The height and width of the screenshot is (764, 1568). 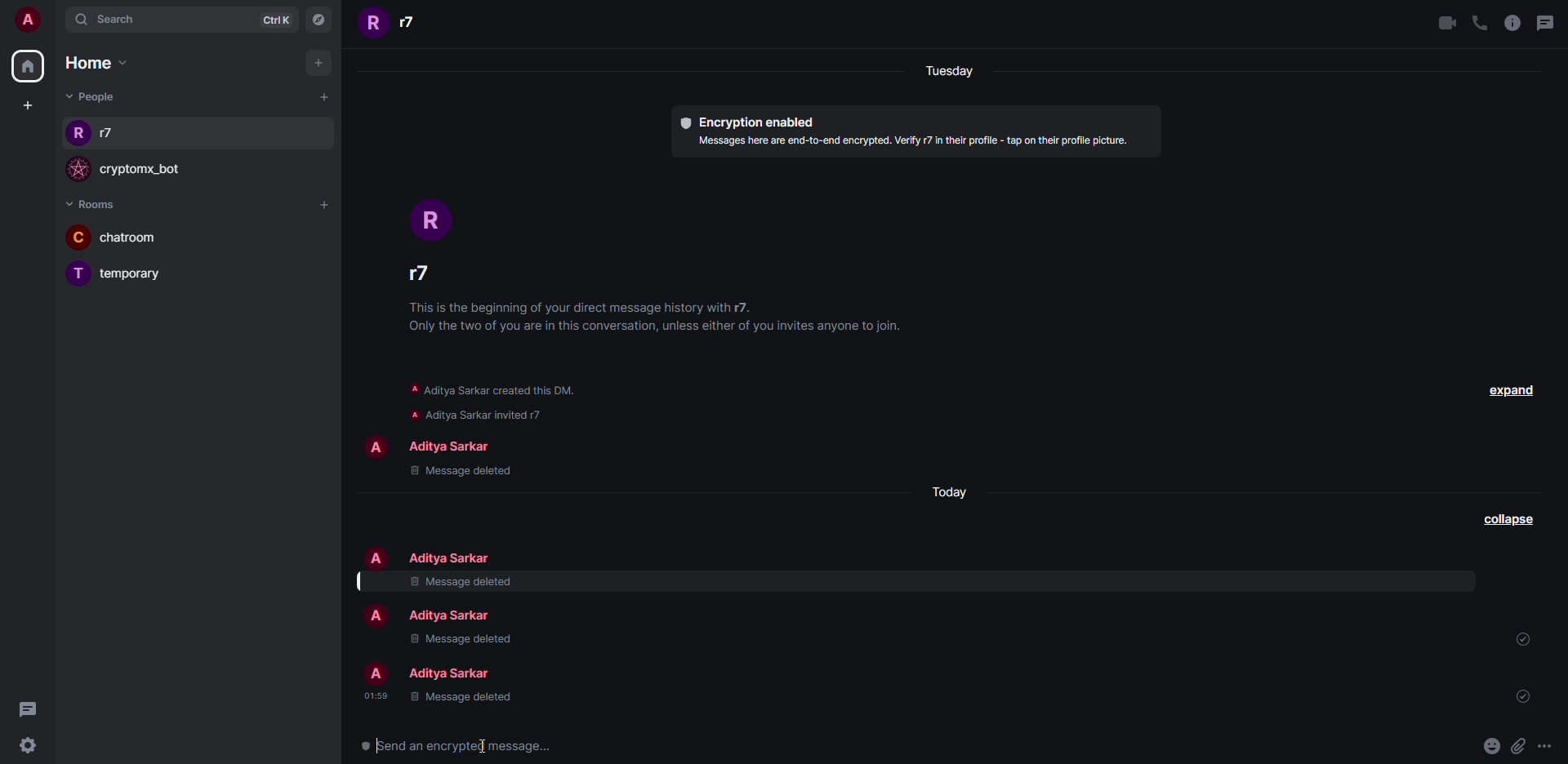 What do you see at coordinates (663, 319) in the screenshot?
I see `info` at bounding box center [663, 319].